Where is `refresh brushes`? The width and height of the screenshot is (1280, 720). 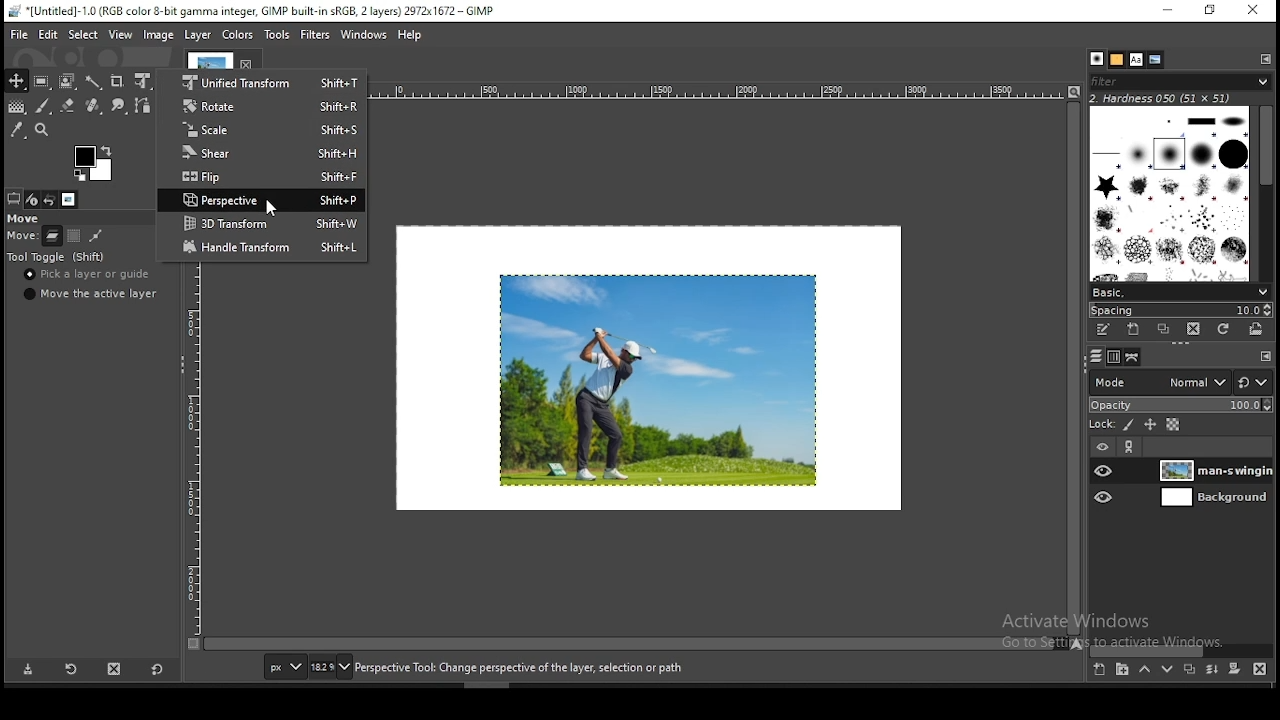 refresh brushes is located at coordinates (1224, 328).